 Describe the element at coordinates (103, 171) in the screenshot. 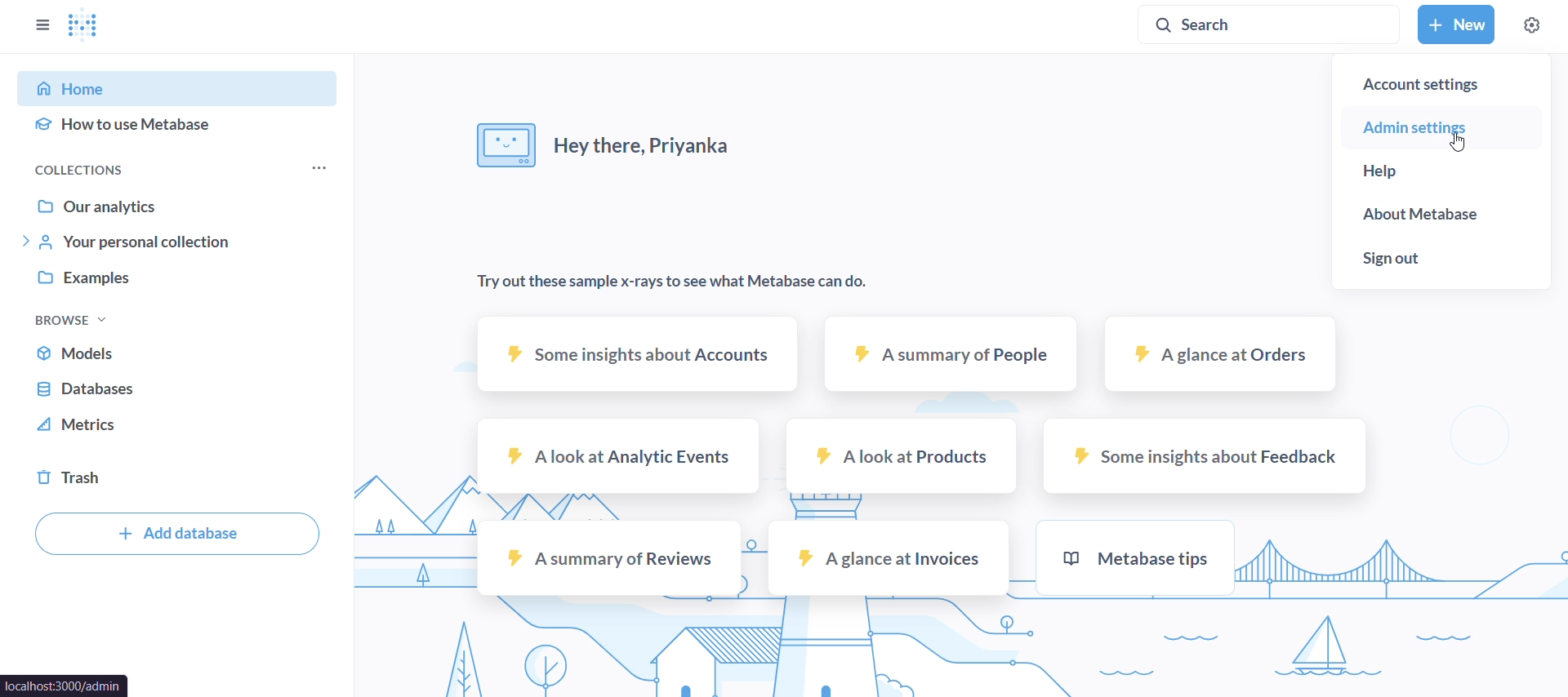

I see `collections` at that location.